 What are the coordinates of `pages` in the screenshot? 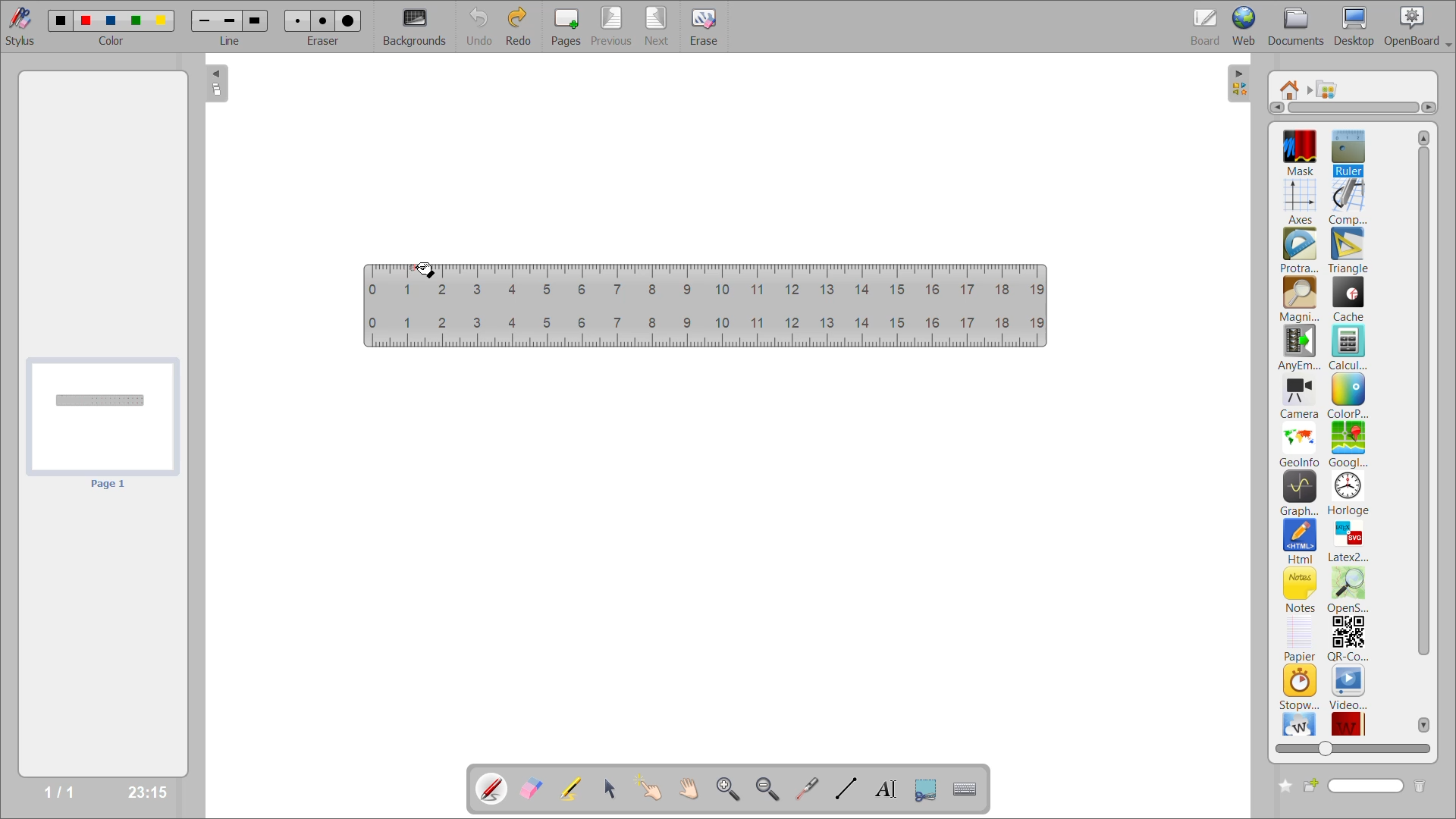 It's located at (570, 24).